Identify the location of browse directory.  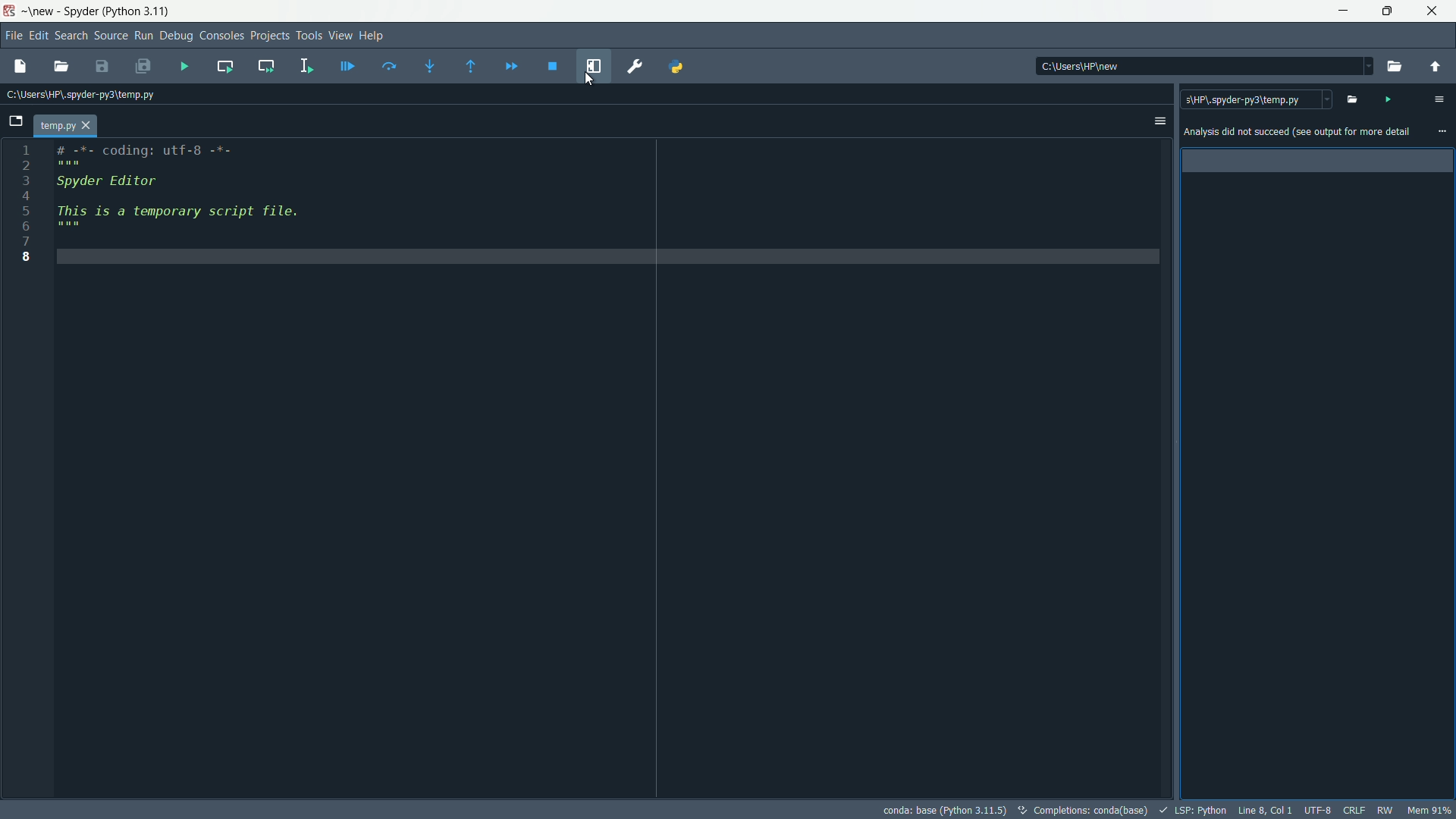
(1395, 67).